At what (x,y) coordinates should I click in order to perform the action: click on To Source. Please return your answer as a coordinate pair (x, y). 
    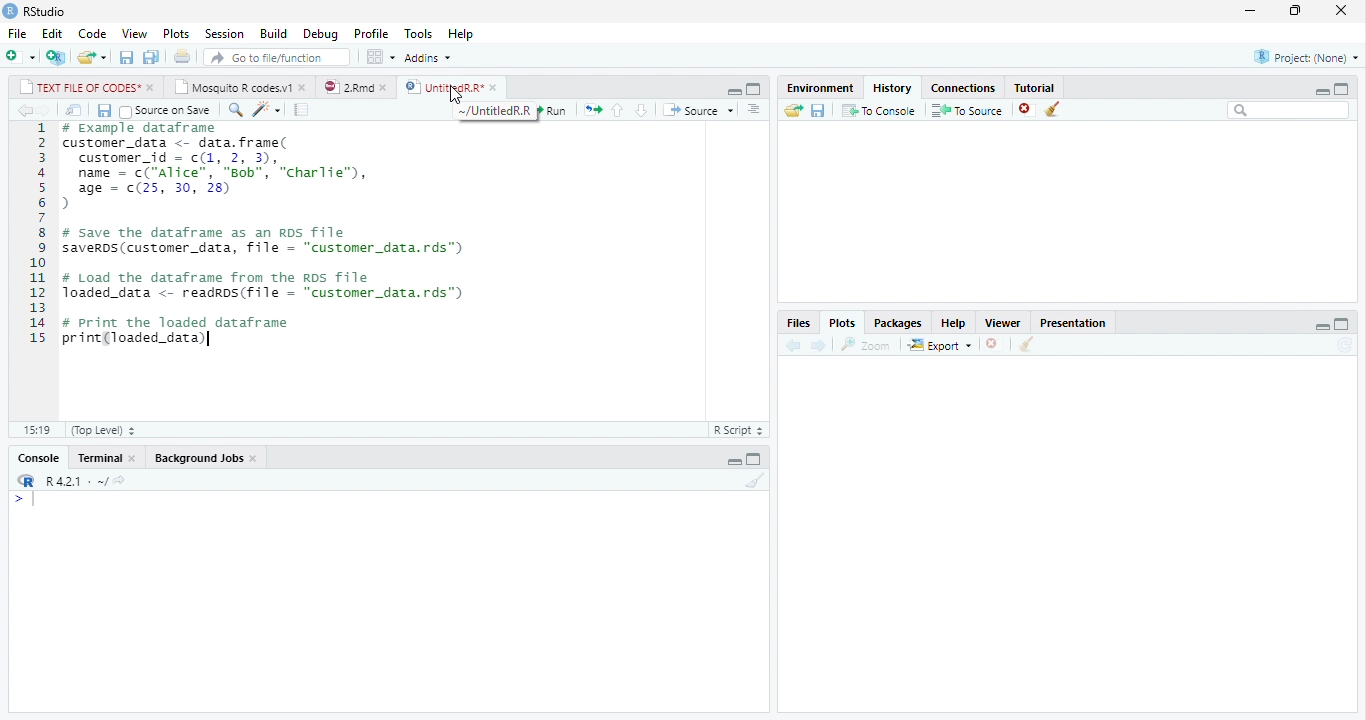
    Looking at the image, I should click on (966, 110).